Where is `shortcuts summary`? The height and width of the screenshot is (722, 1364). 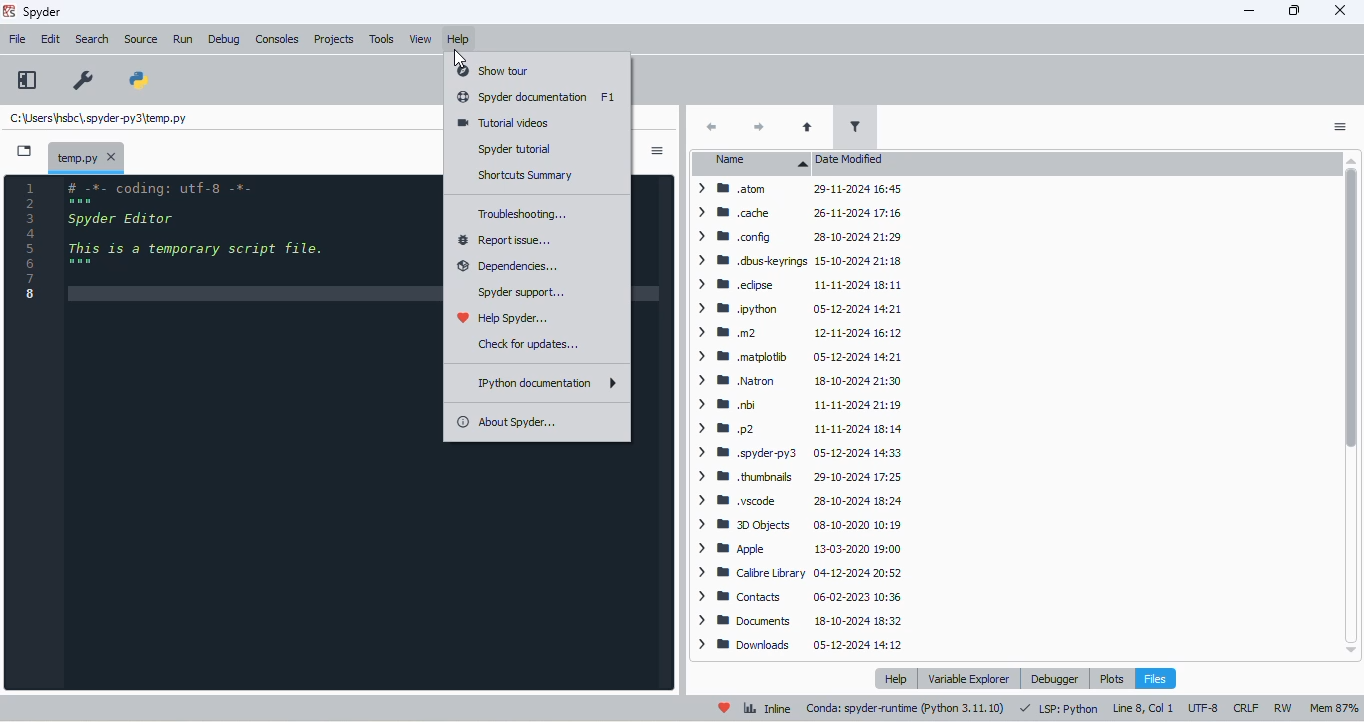 shortcuts summary is located at coordinates (524, 175).